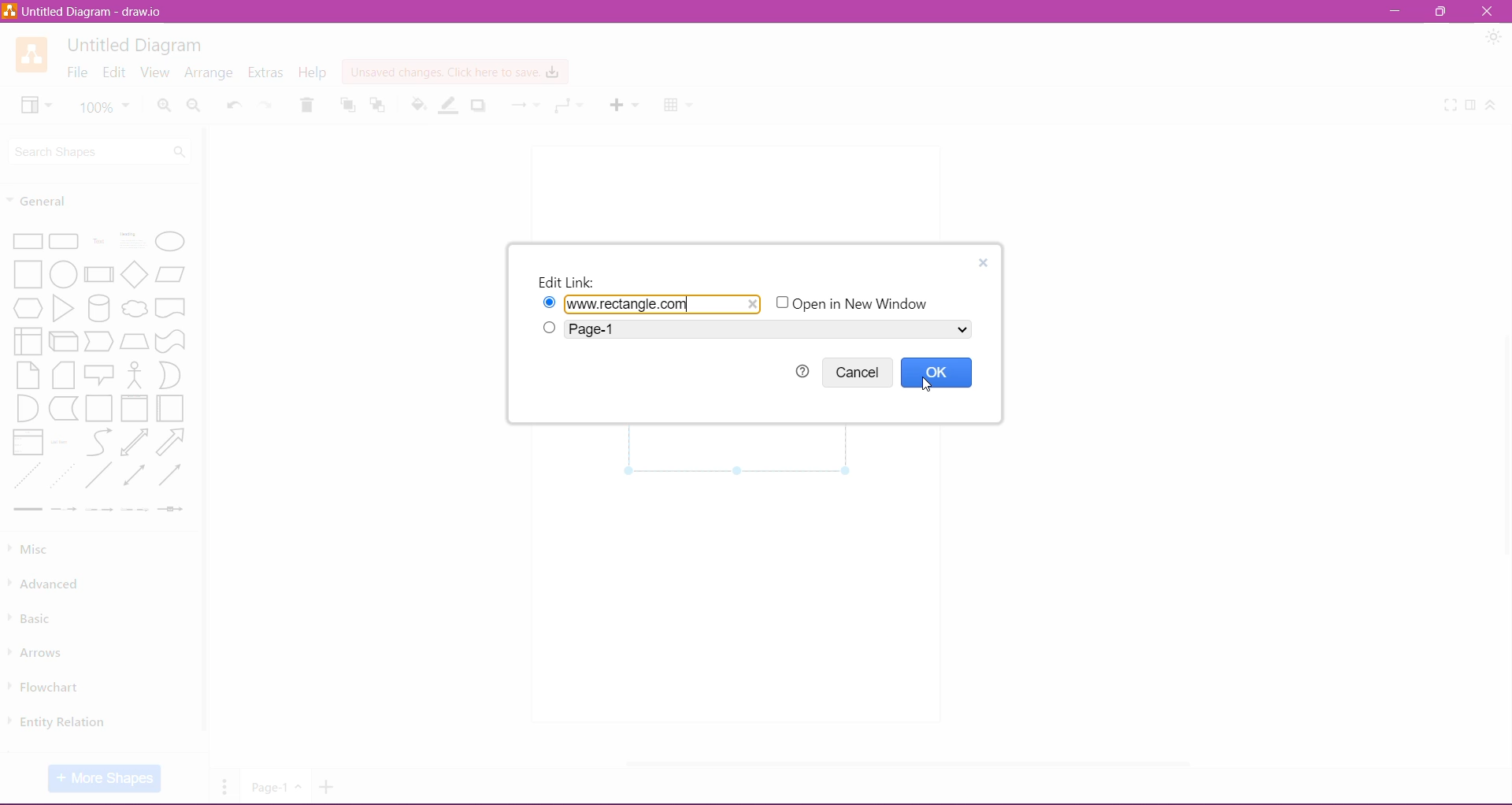  What do you see at coordinates (101, 152) in the screenshot?
I see `Search Shapes` at bounding box center [101, 152].